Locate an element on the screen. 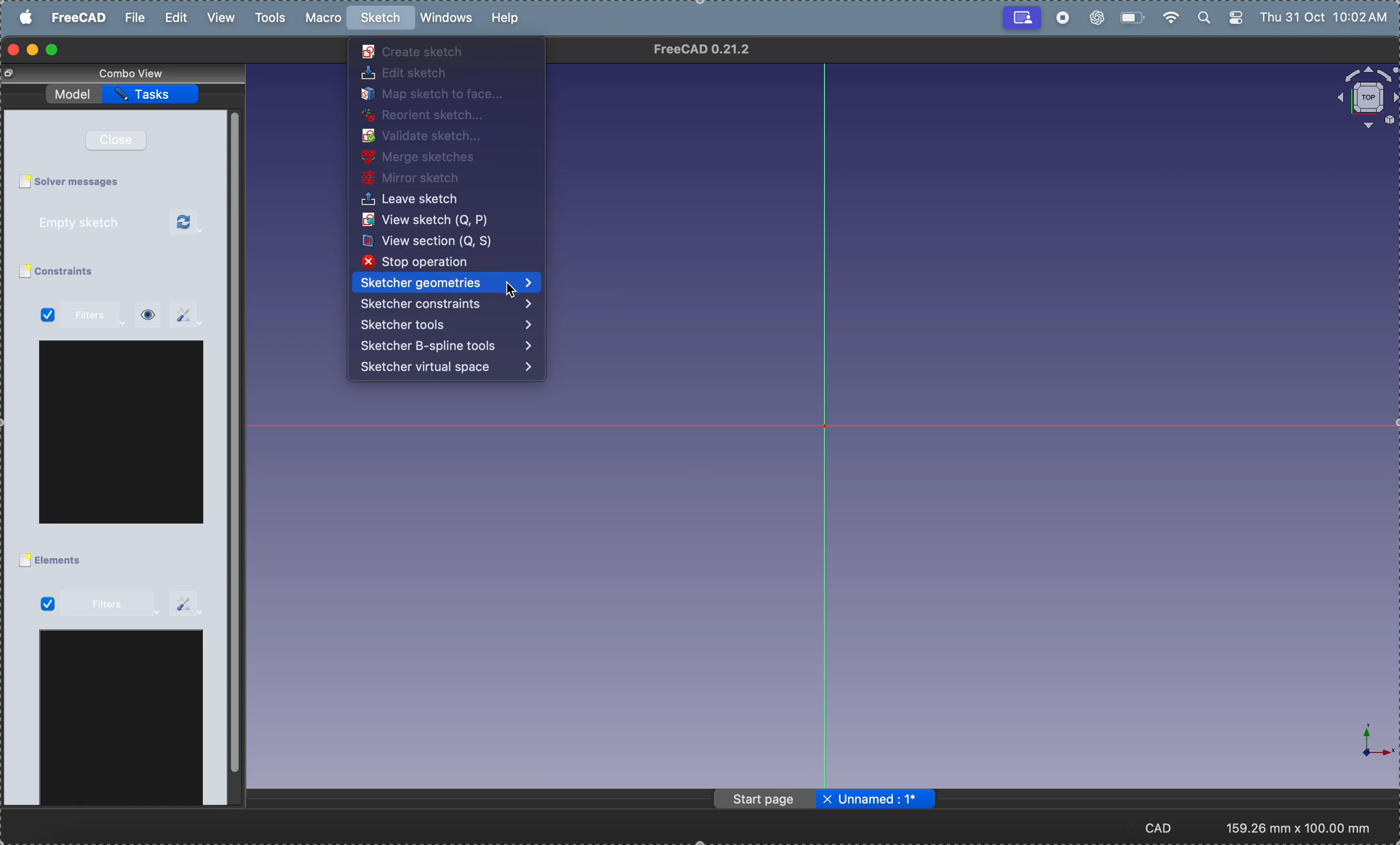 The height and width of the screenshot is (845, 1400). settings is located at coordinates (187, 315).